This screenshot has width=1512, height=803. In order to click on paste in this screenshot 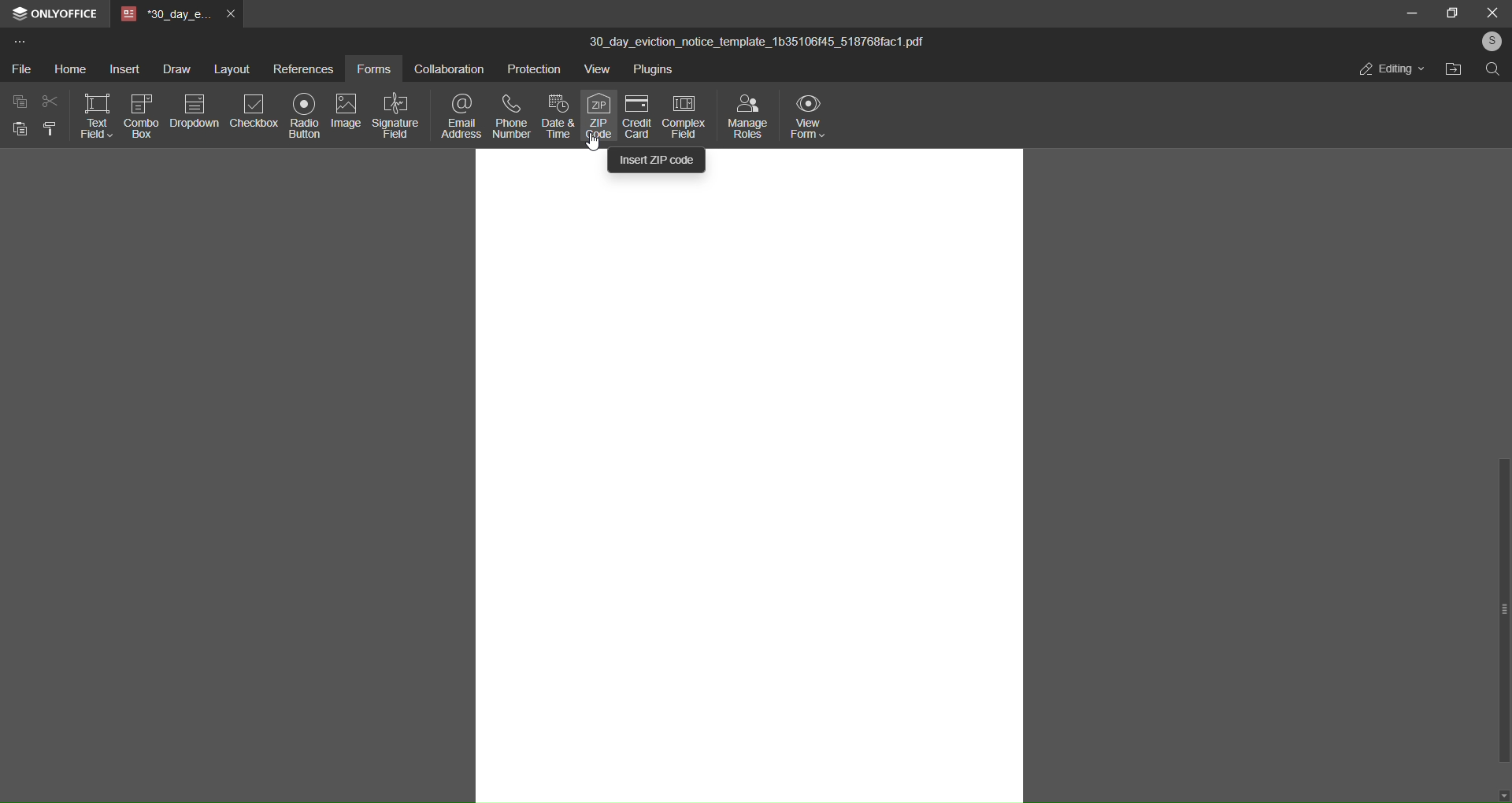, I will do `click(18, 128)`.